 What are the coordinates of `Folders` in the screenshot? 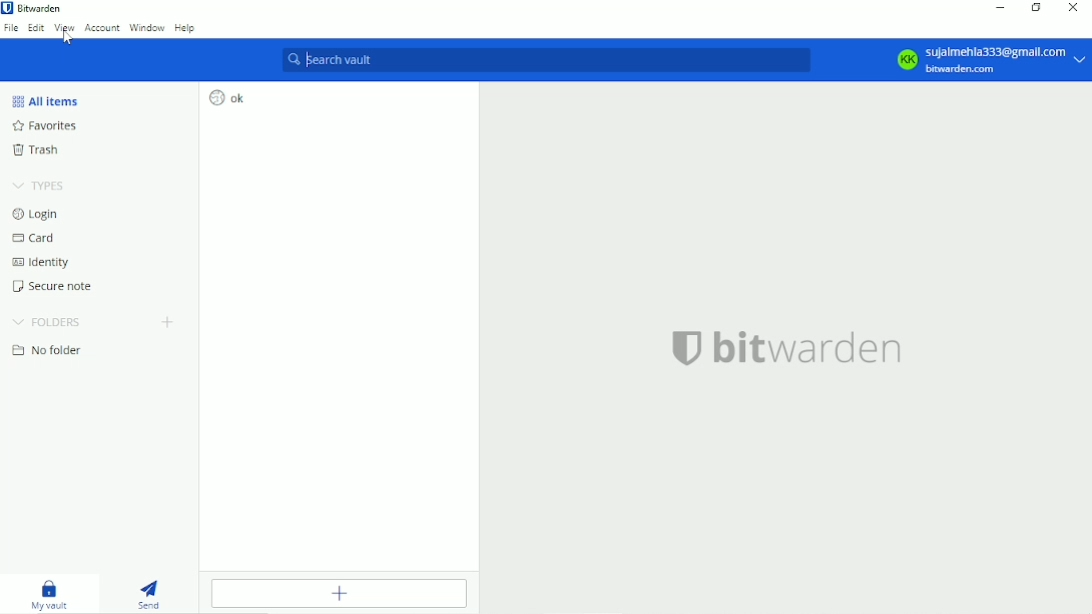 It's located at (49, 322).